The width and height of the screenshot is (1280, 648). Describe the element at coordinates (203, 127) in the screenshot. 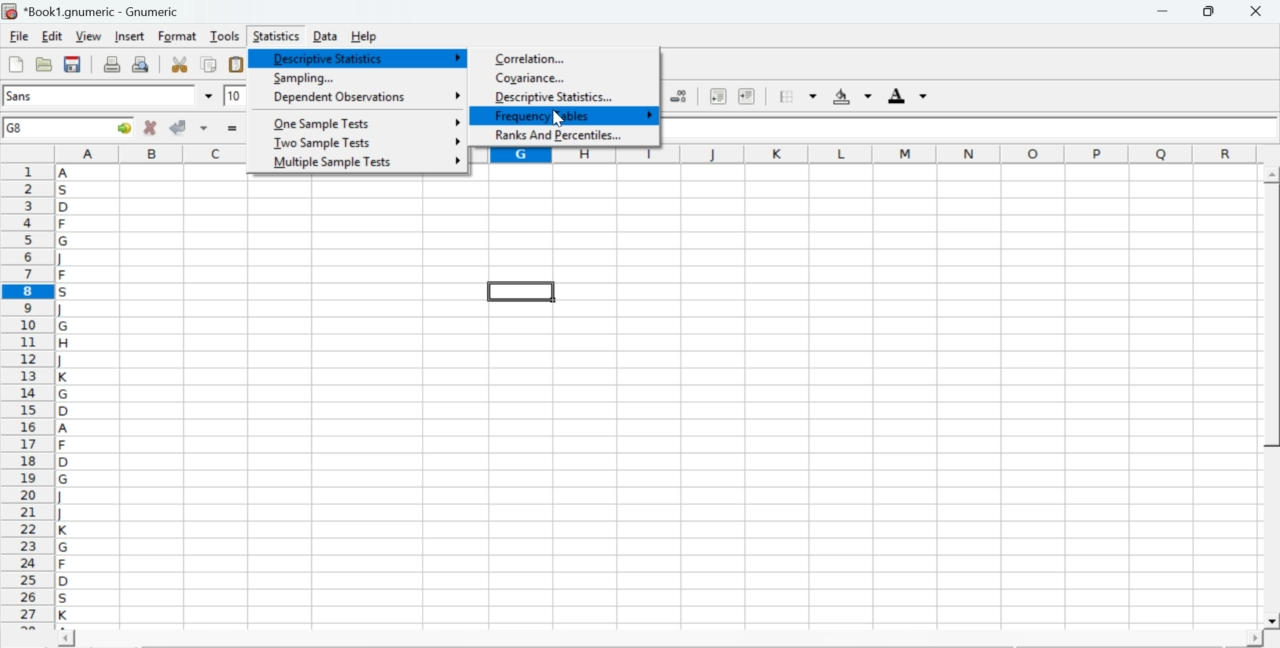

I see `accept changes across selection` at that location.